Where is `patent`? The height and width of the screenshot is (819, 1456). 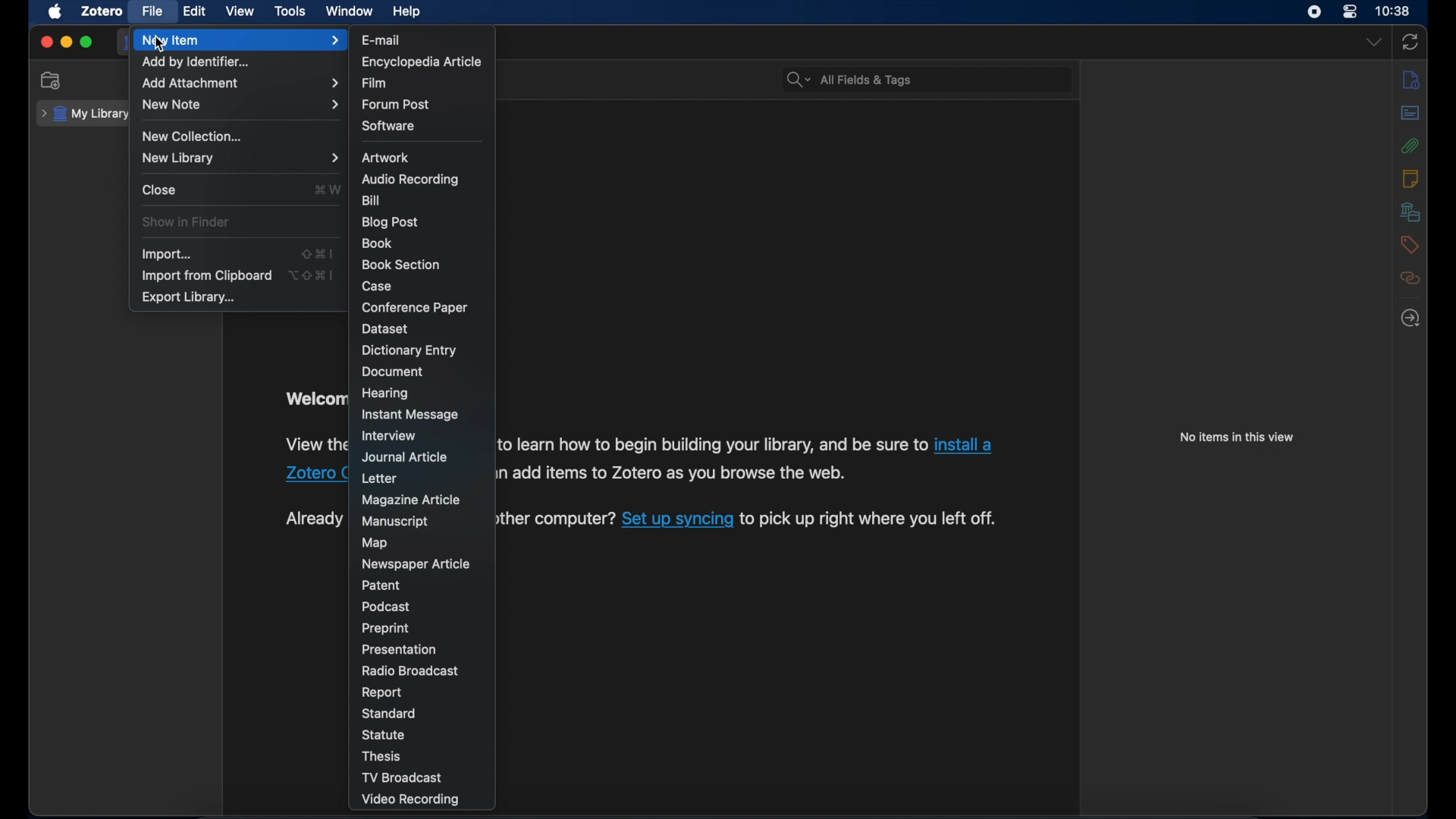
patent is located at coordinates (381, 585).